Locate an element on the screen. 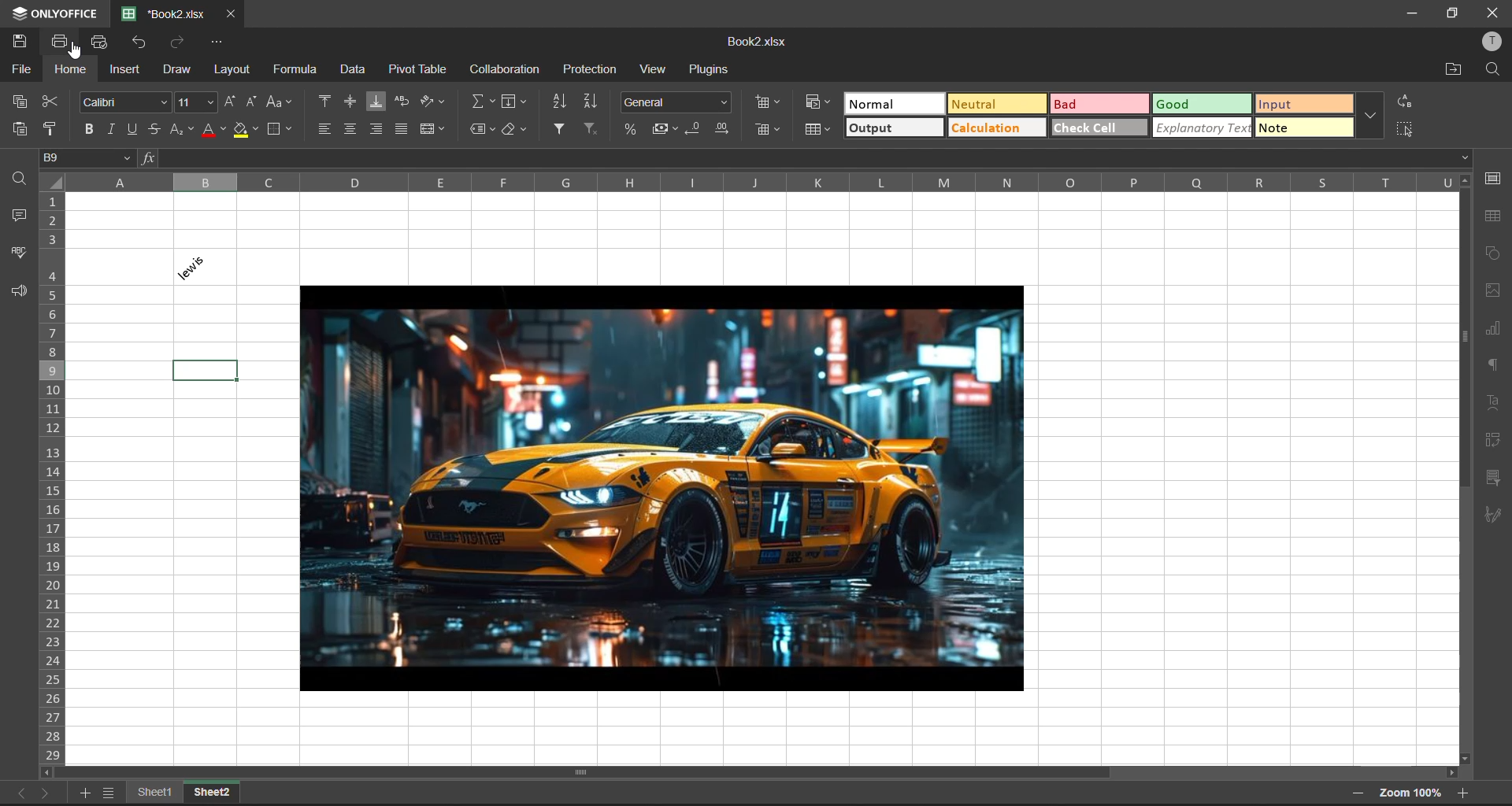  font style is located at coordinates (127, 102).